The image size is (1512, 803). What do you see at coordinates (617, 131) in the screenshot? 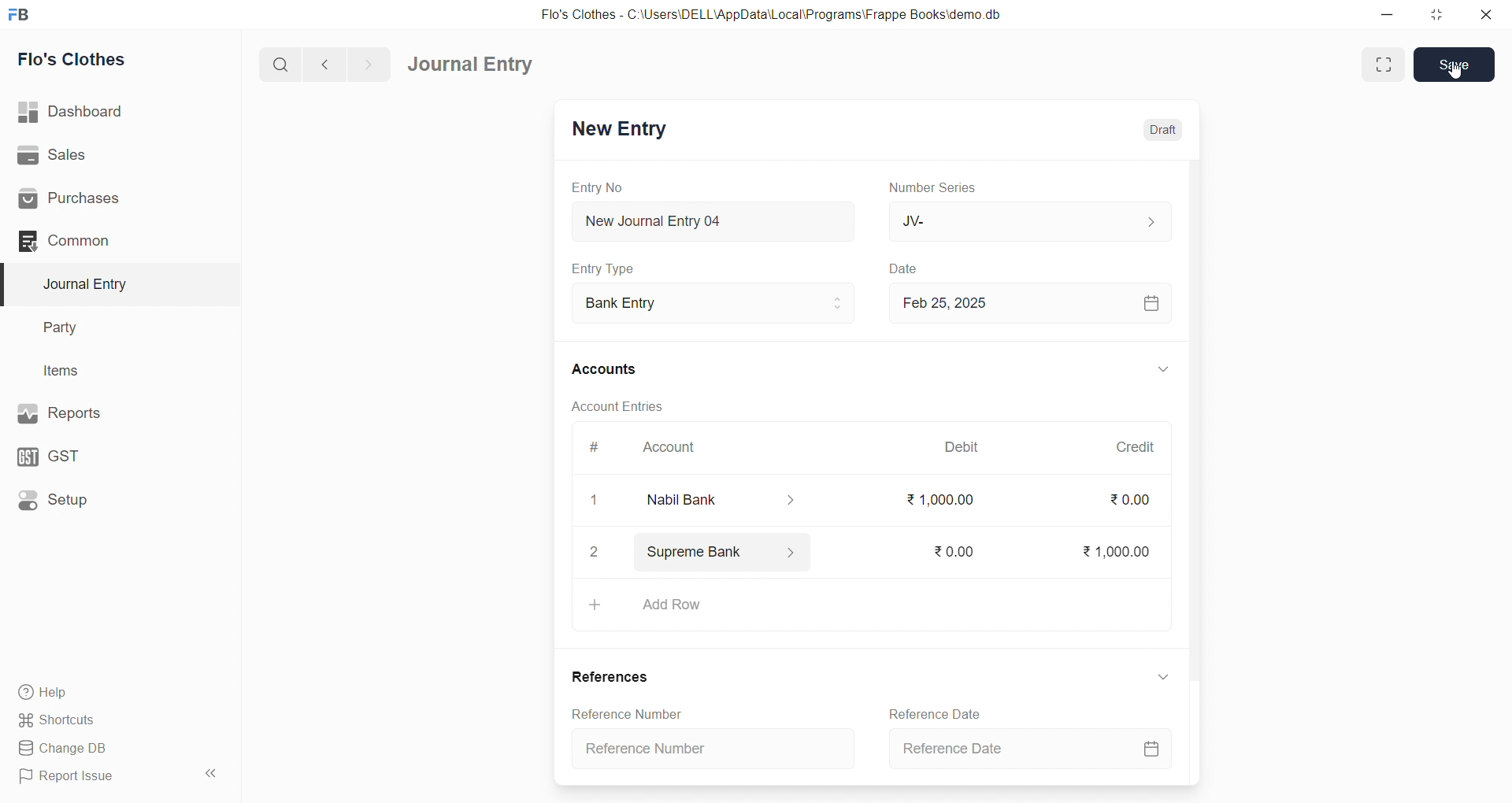
I see `New Entry` at bounding box center [617, 131].